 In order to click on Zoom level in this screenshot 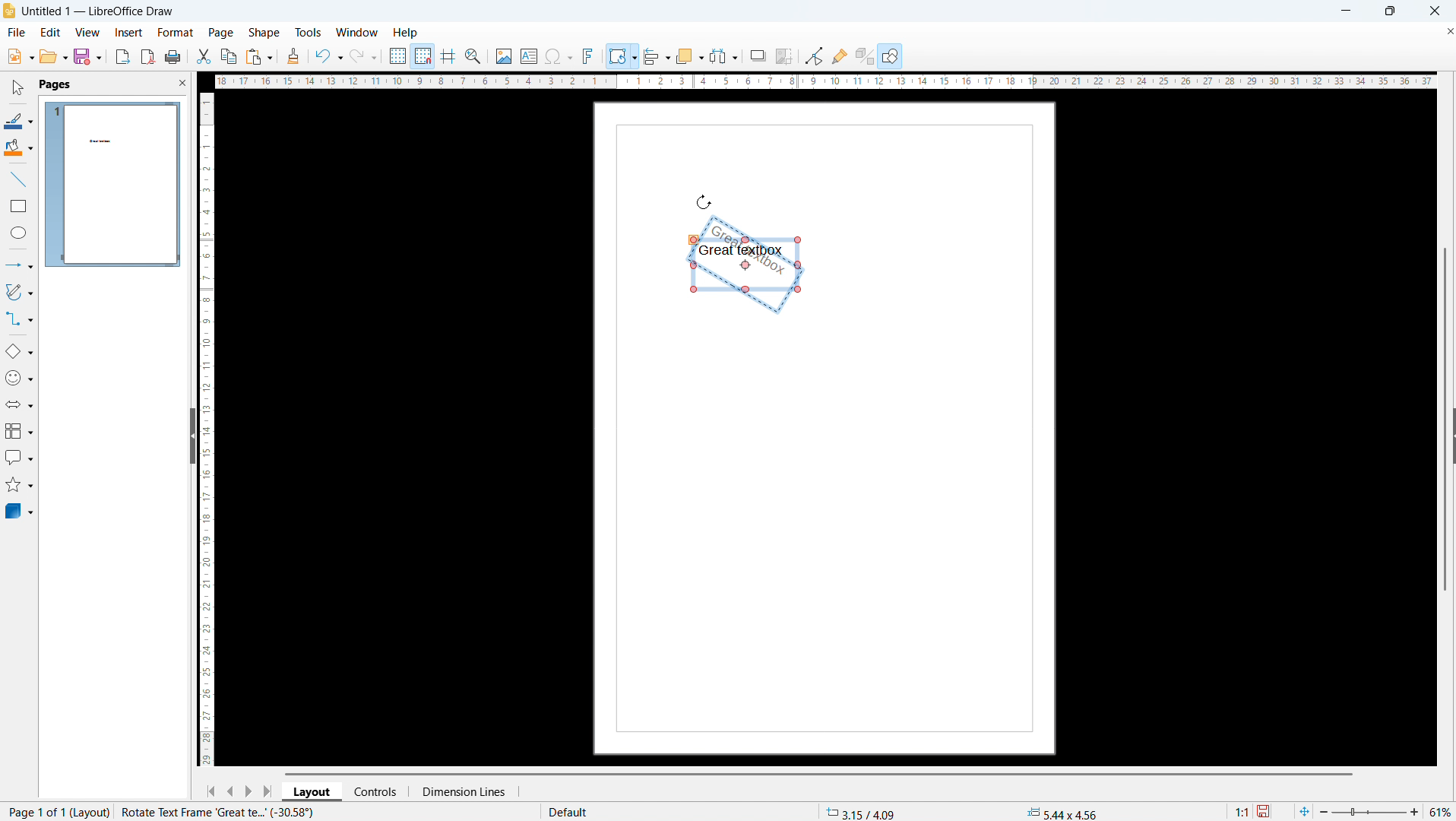, I will do `click(1442, 813)`.